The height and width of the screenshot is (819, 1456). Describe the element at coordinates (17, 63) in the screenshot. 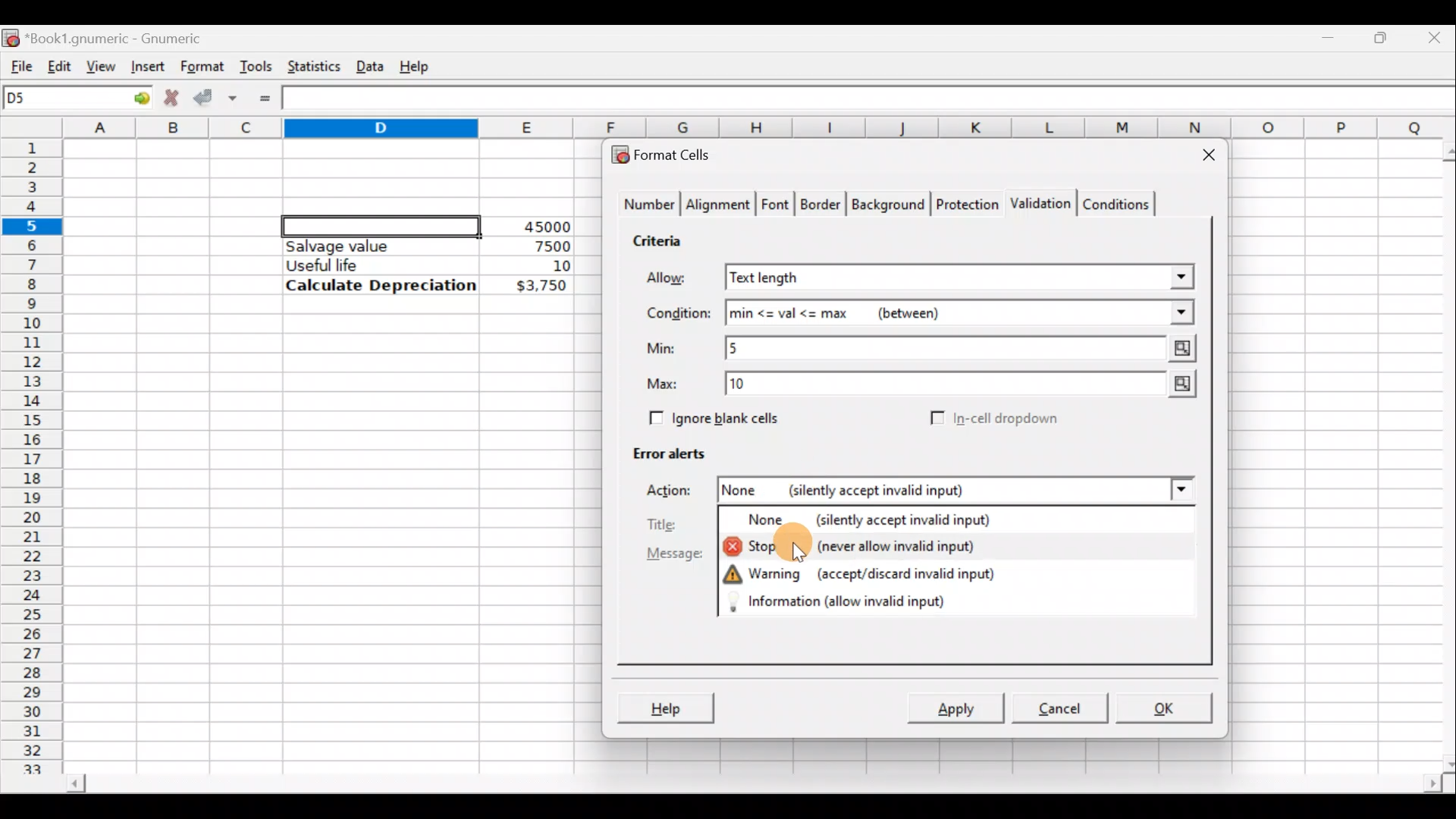

I see `File` at that location.